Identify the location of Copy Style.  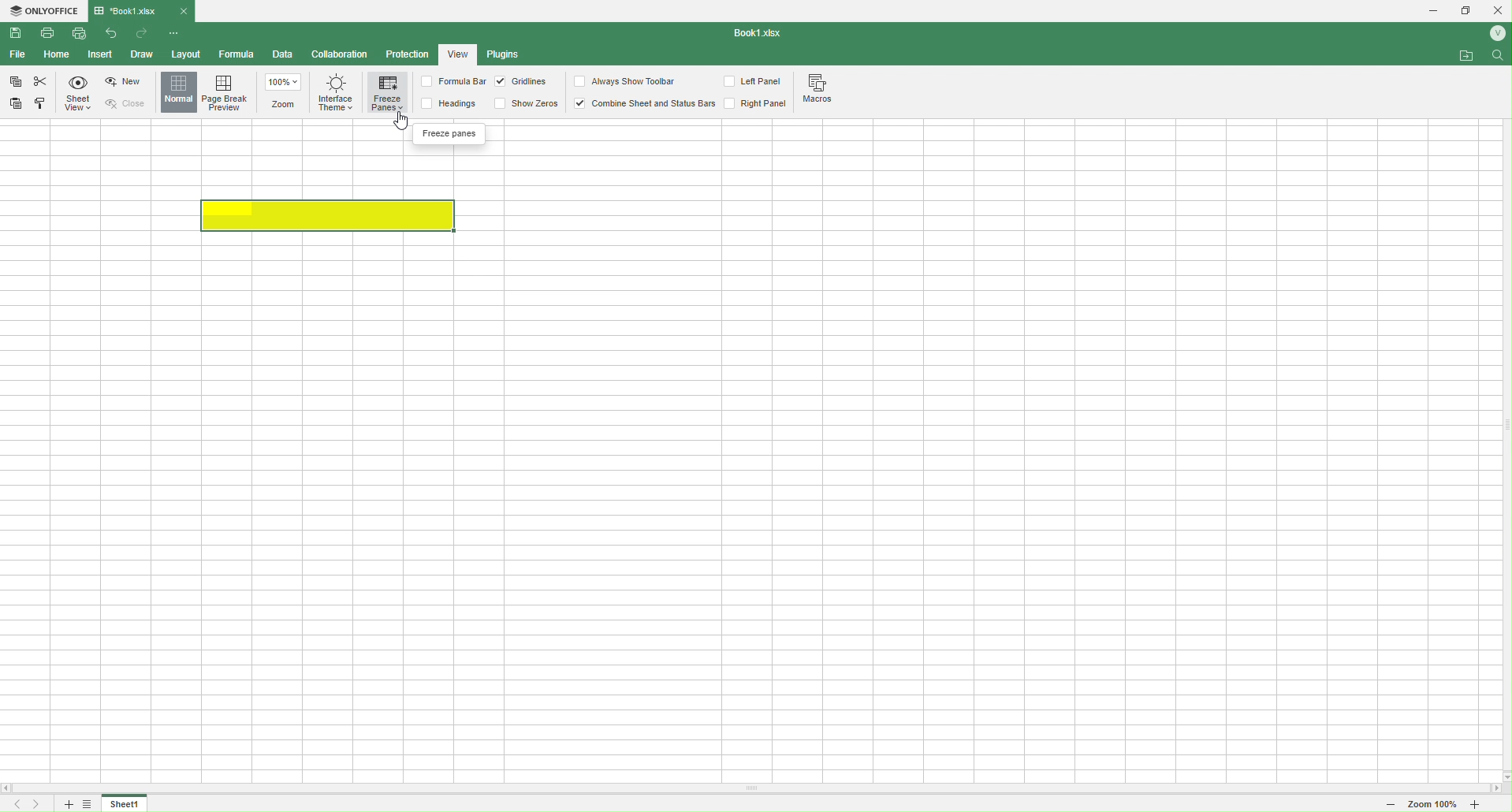
(41, 106).